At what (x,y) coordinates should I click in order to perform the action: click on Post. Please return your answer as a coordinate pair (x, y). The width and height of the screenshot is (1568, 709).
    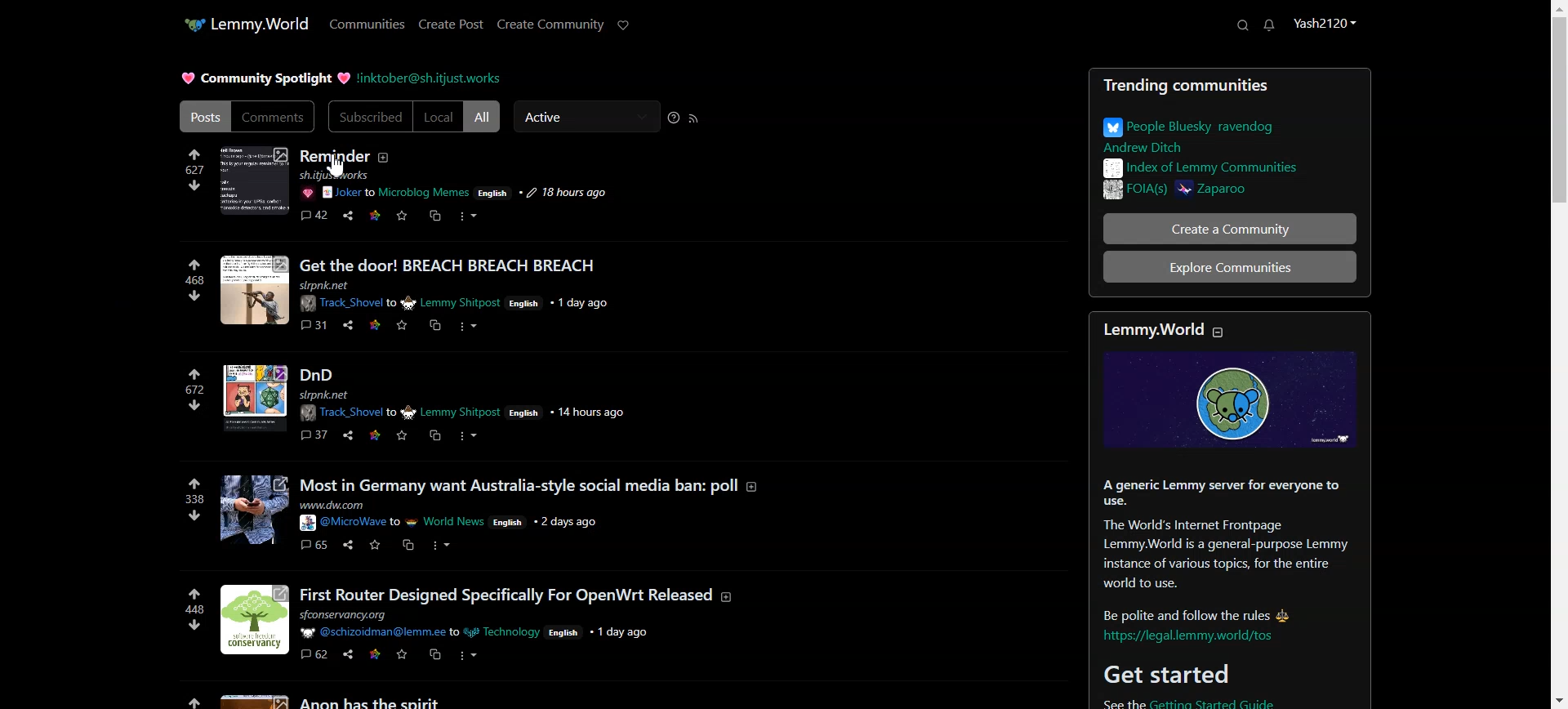
    Looking at the image, I should click on (612, 477).